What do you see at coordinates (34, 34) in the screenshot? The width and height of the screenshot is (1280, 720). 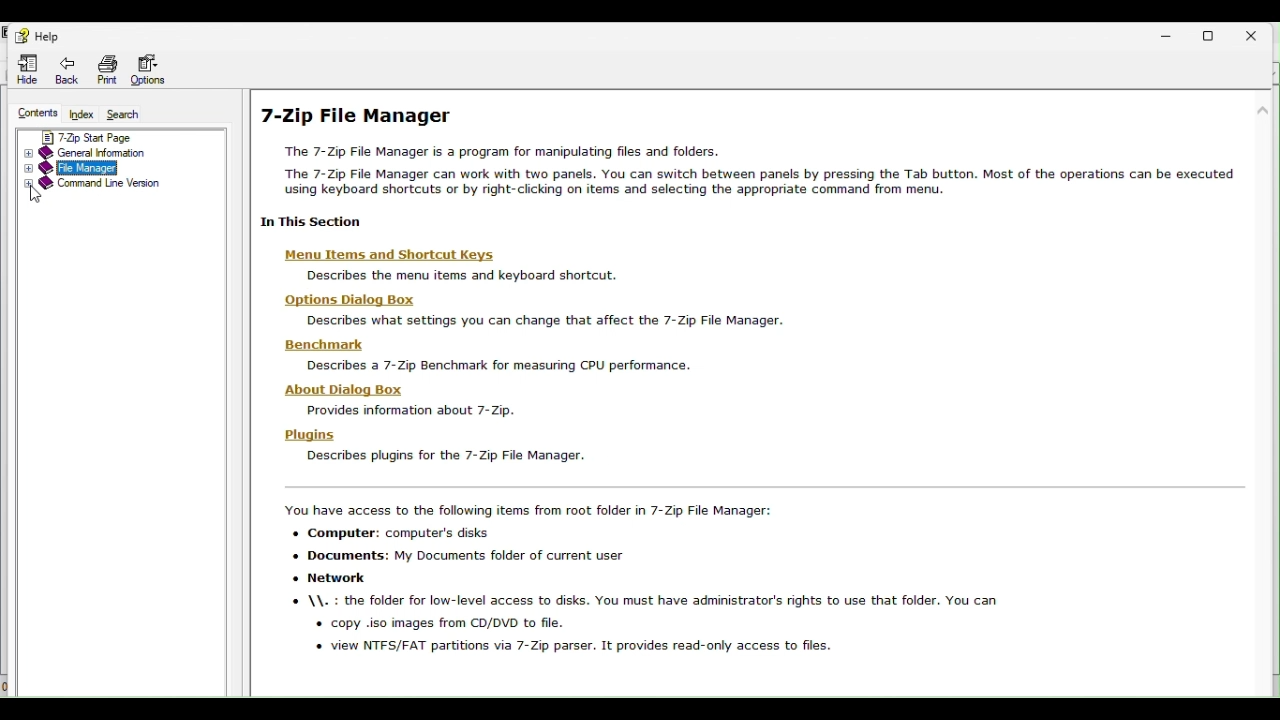 I see `Help ` at bounding box center [34, 34].